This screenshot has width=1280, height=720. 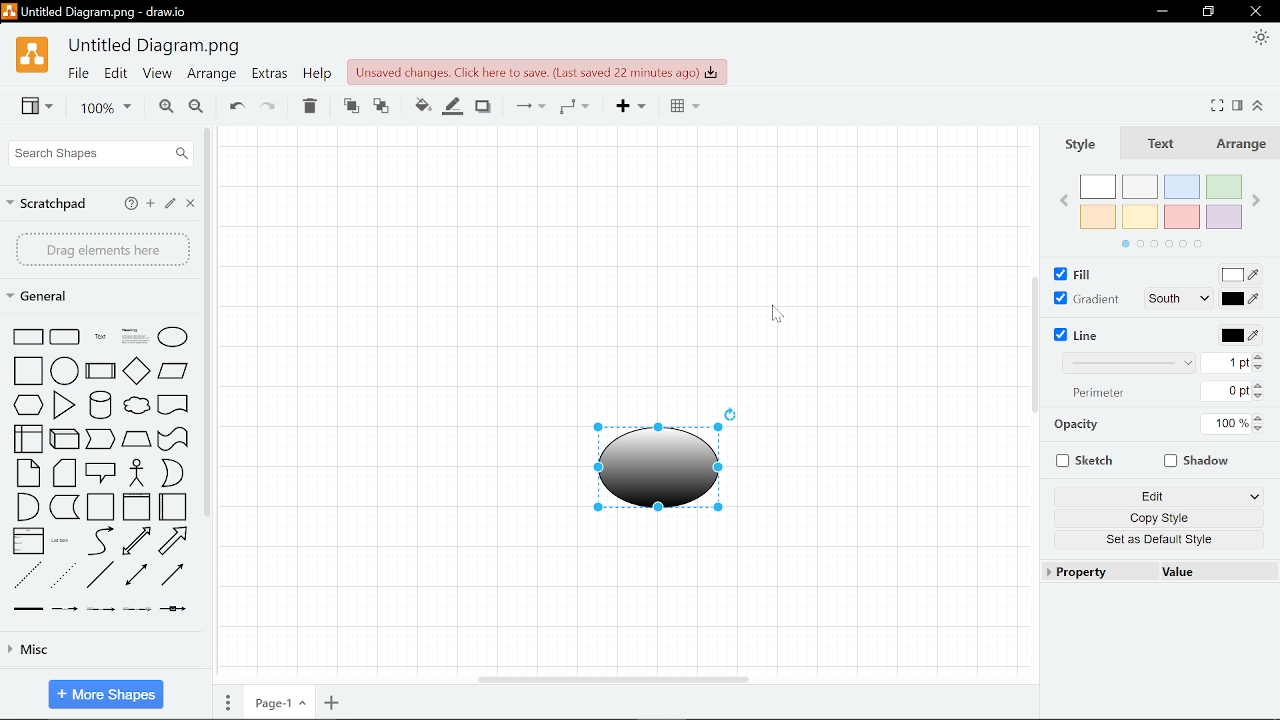 What do you see at coordinates (1226, 423) in the screenshot?
I see `Current opacity` at bounding box center [1226, 423].